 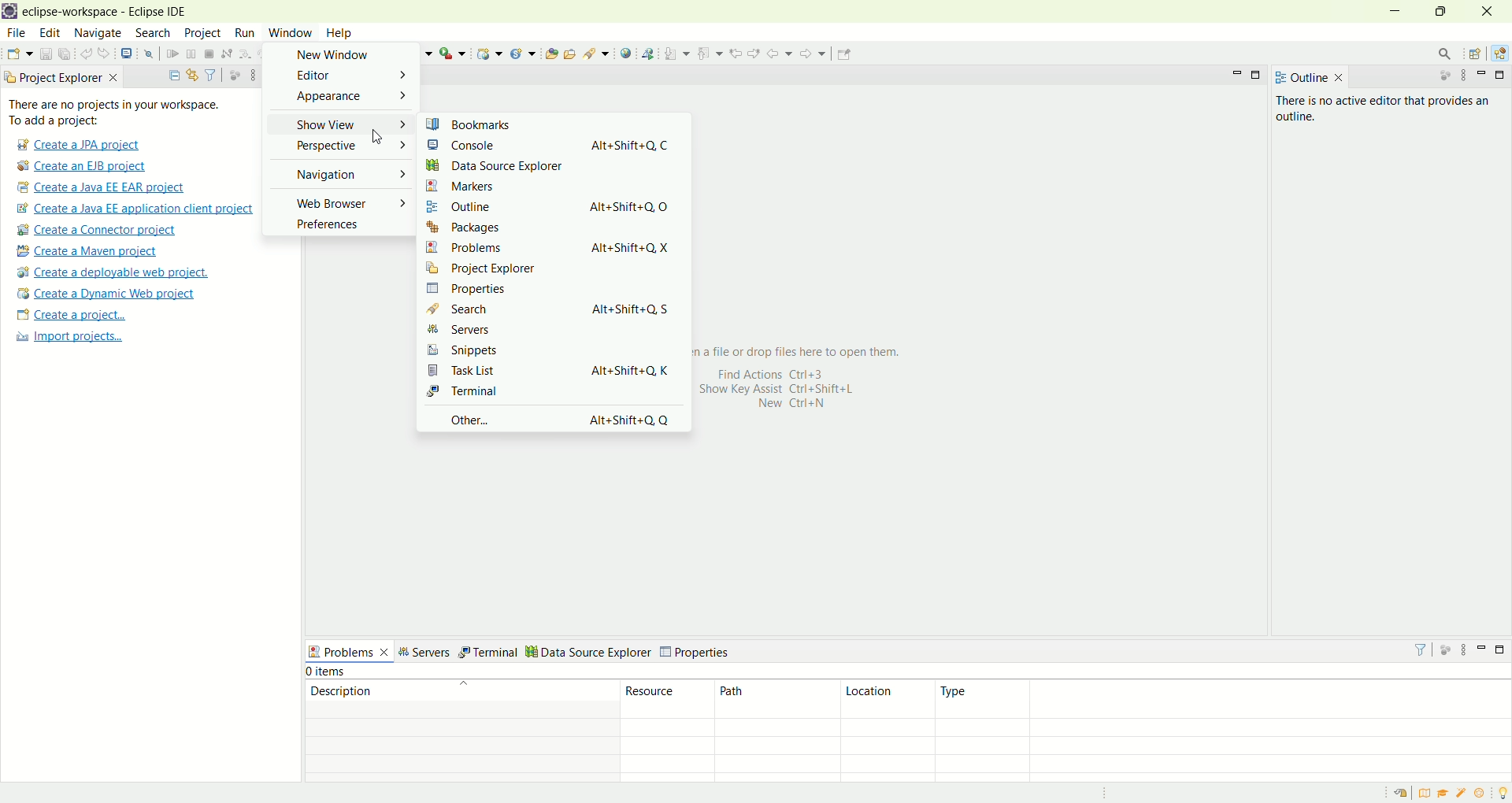 What do you see at coordinates (587, 649) in the screenshot?
I see `data source explorer` at bounding box center [587, 649].